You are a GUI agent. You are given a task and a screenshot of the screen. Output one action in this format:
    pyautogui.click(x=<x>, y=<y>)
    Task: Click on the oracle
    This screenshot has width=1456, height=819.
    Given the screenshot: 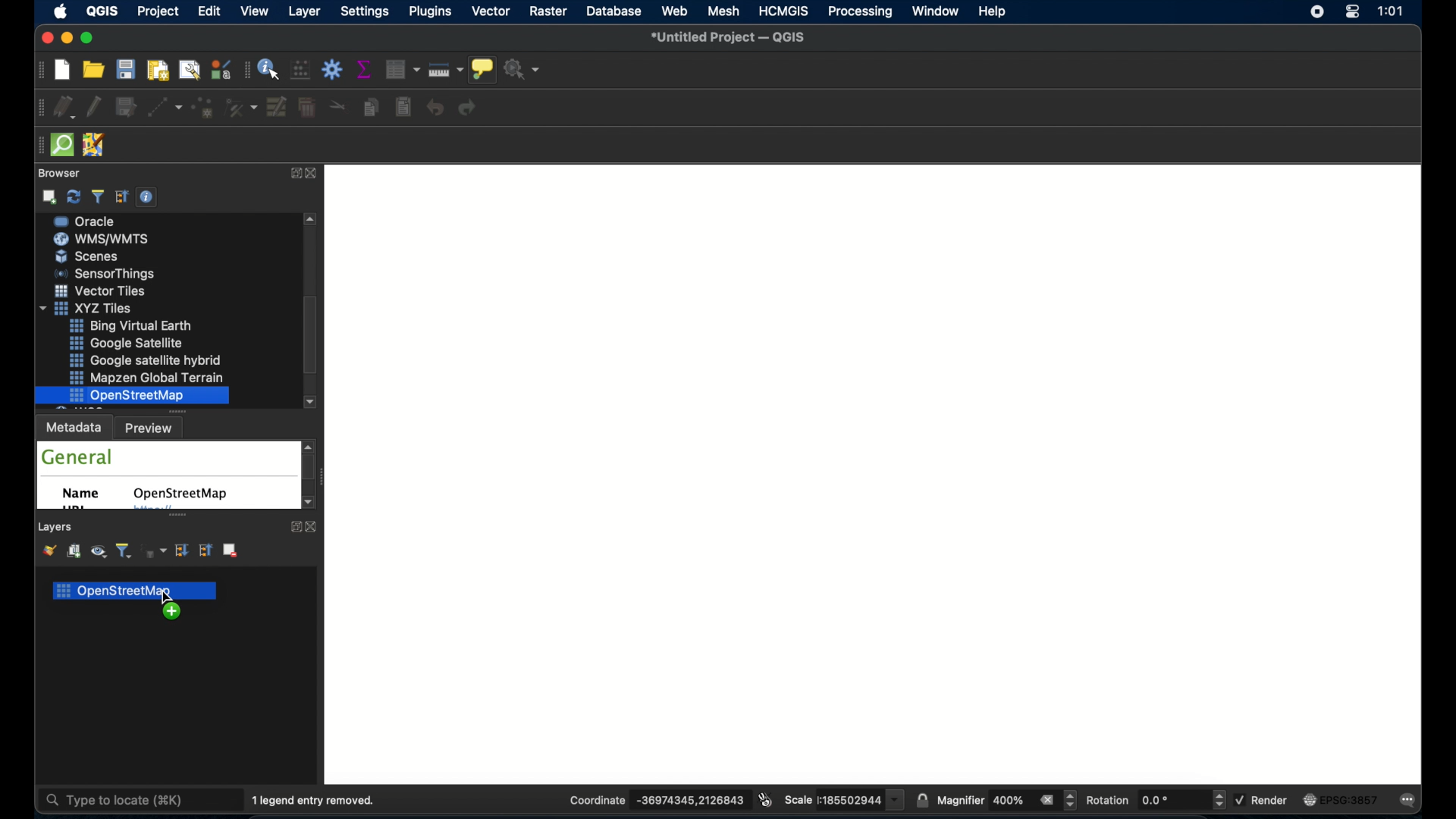 What is the action you would take?
    pyautogui.click(x=107, y=275)
    